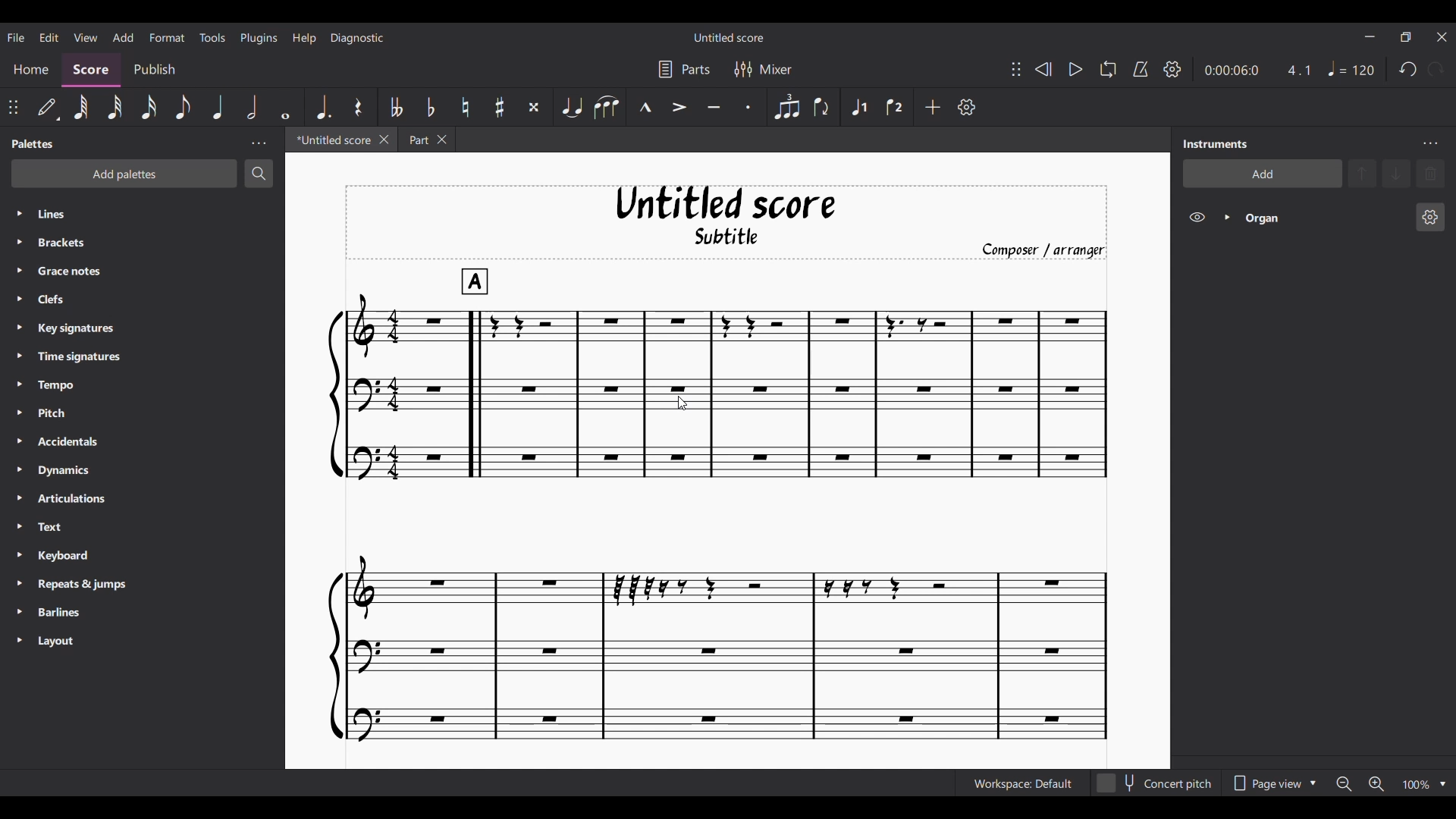  What do you see at coordinates (13, 107) in the screenshot?
I see `Change position of toolbar attached` at bounding box center [13, 107].